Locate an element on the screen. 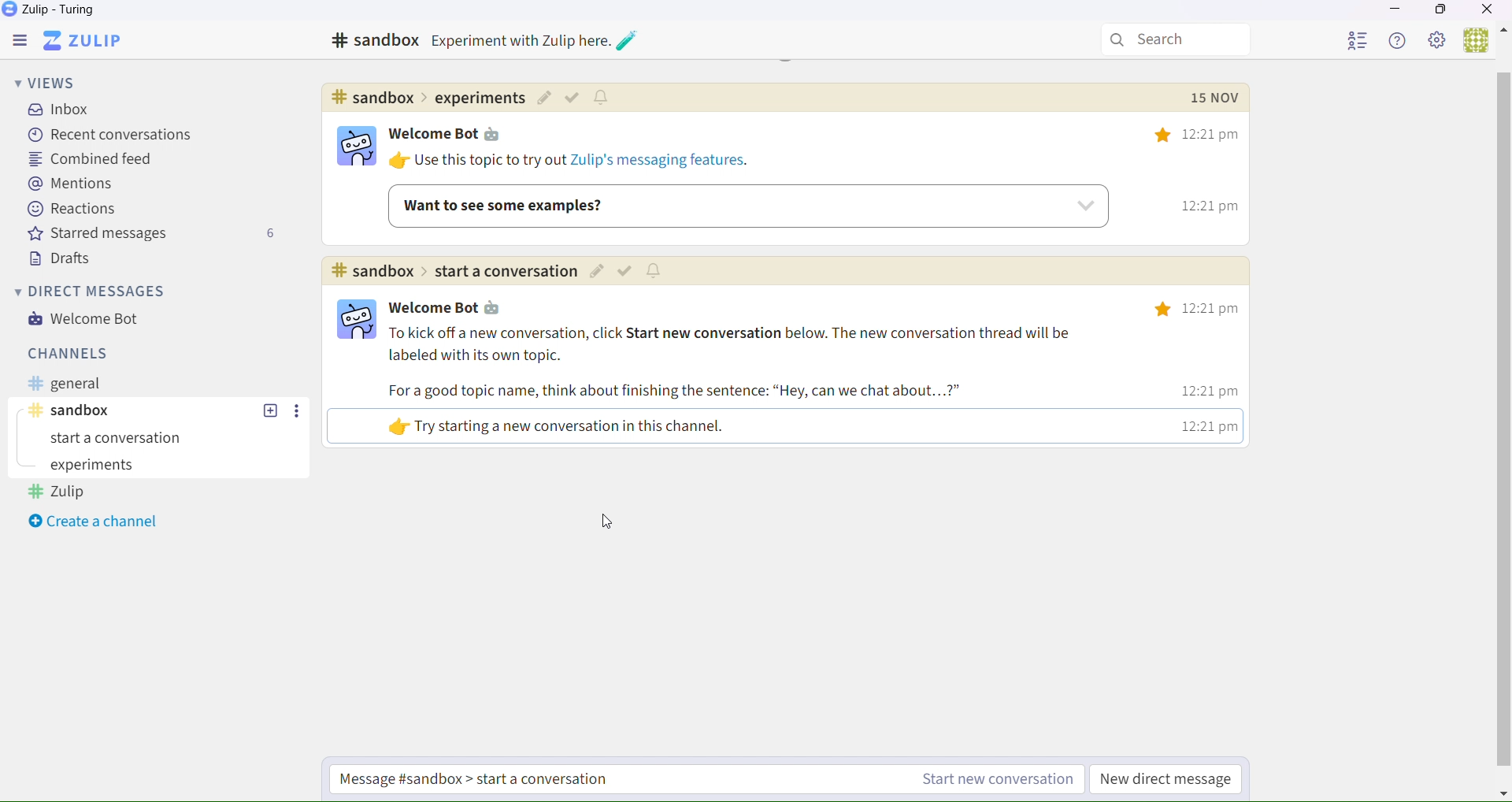 This screenshot has width=1512, height=802.  is located at coordinates (626, 271).